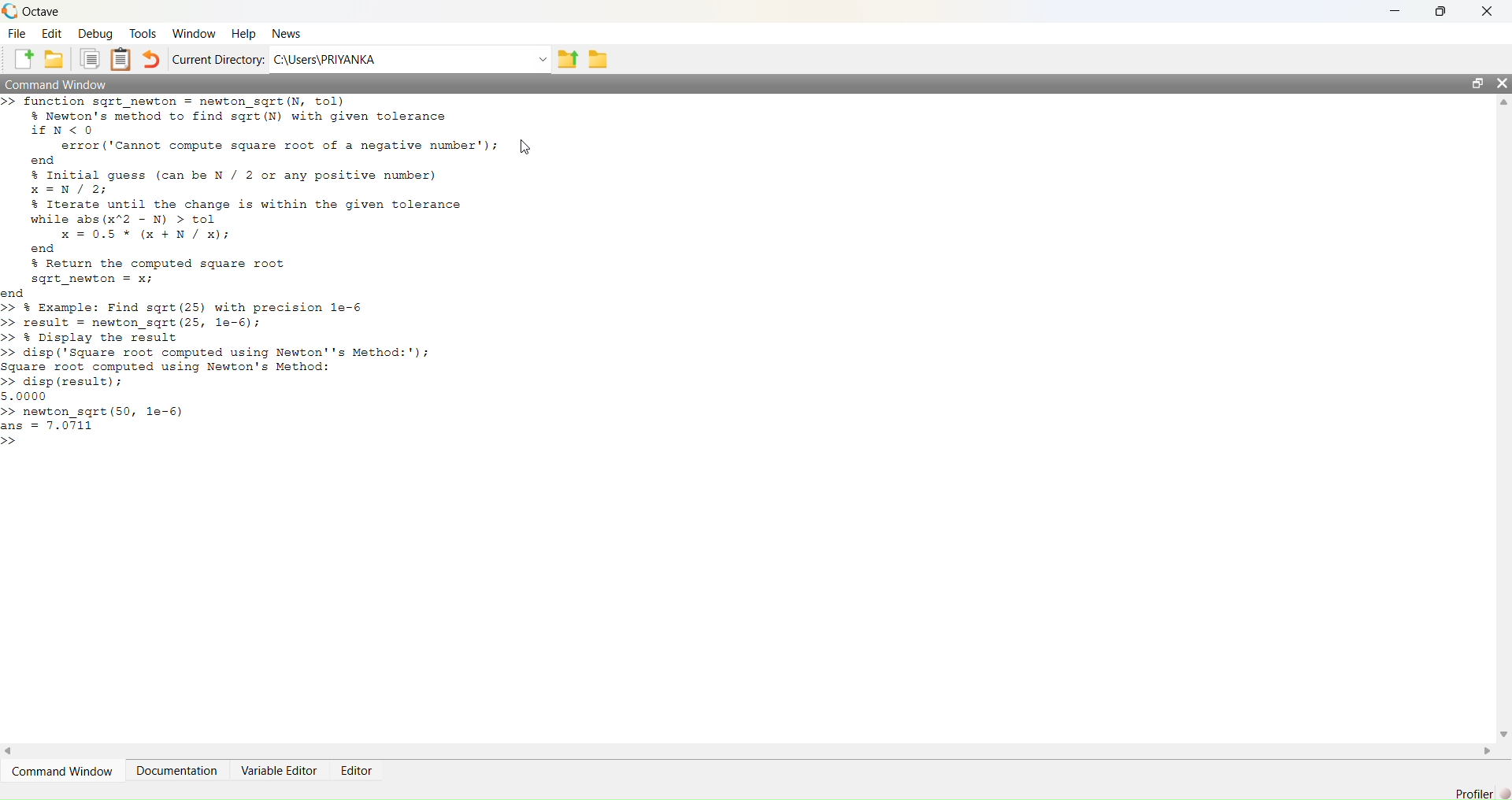  What do you see at coordinates (1503, 734) in the screenshot?
I see `Down` at bounding box center [1503, 734].